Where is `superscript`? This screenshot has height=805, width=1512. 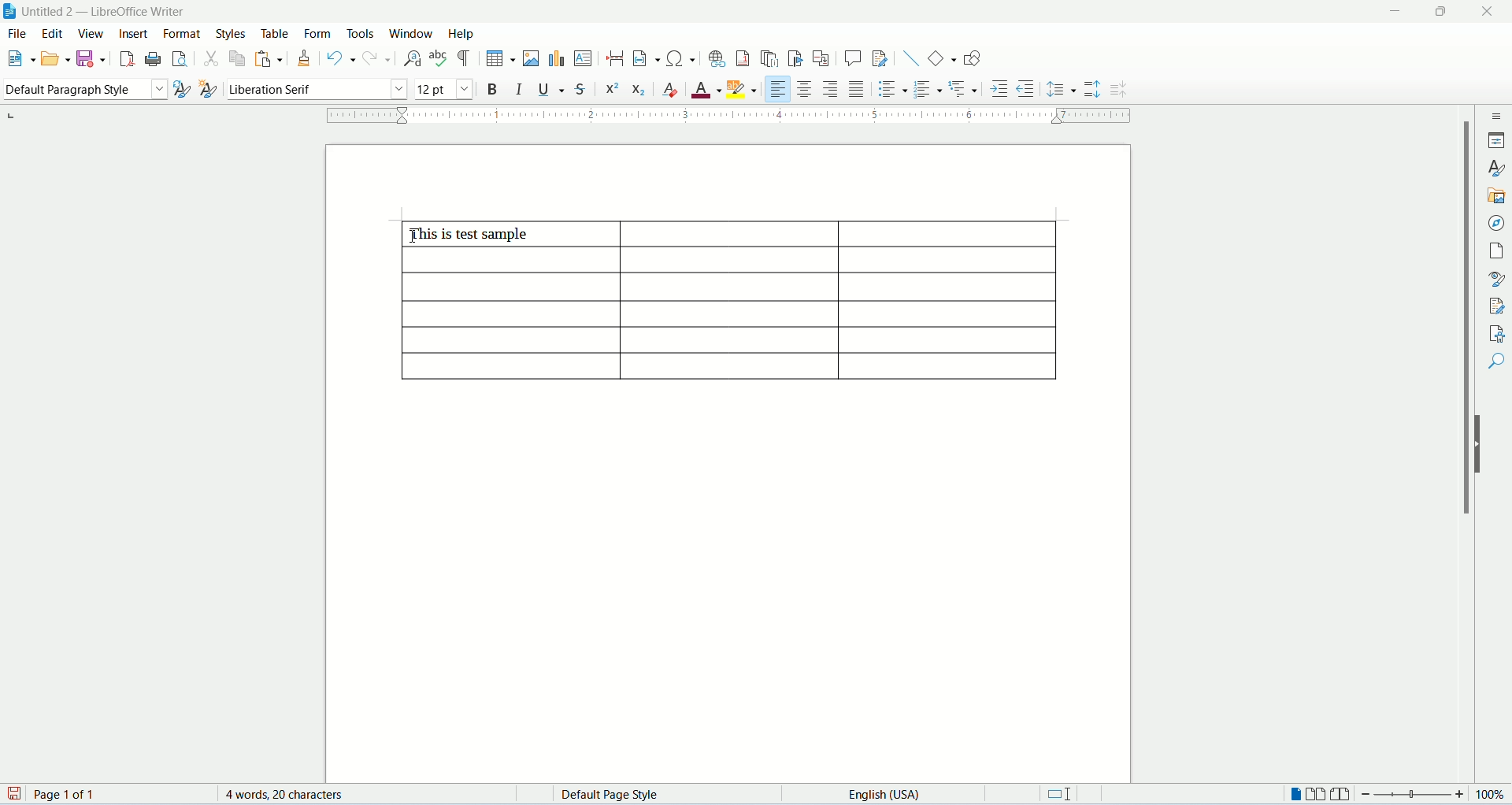 superscript is located at coordinates (613, 92).